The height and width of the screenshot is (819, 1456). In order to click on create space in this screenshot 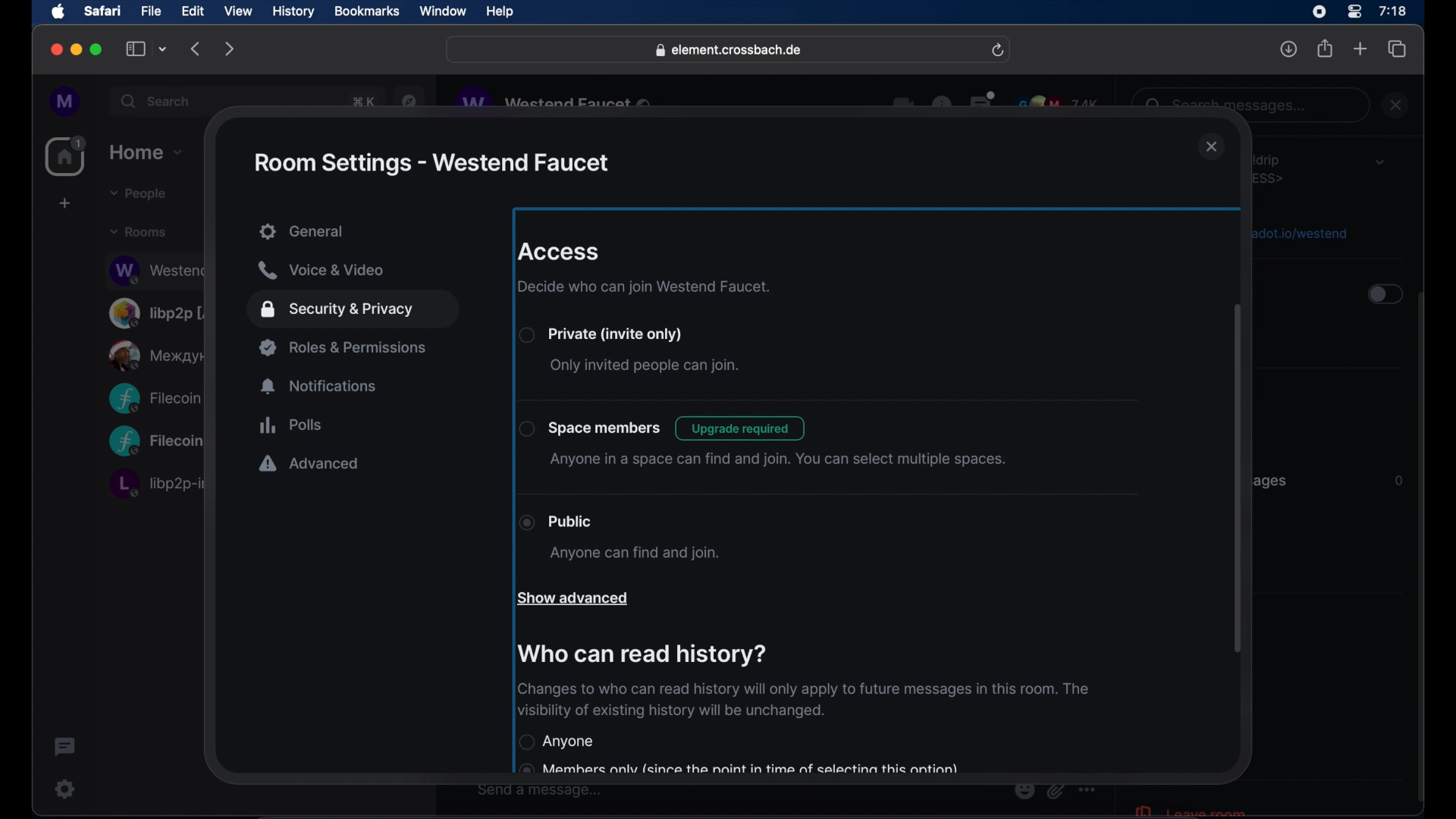, I will do `click(64, 203)`.